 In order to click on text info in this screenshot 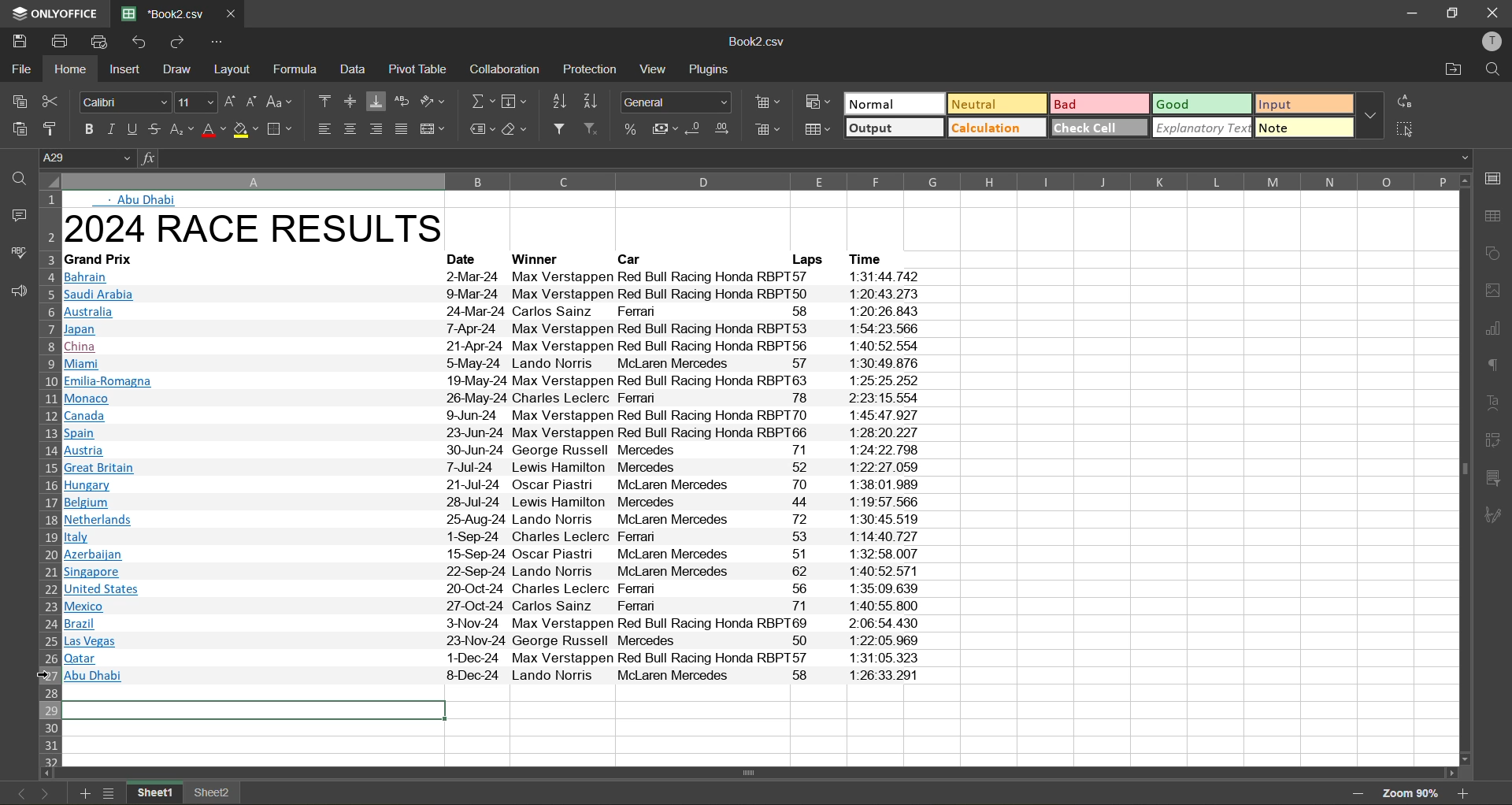, I will do `click(496, 363)`.